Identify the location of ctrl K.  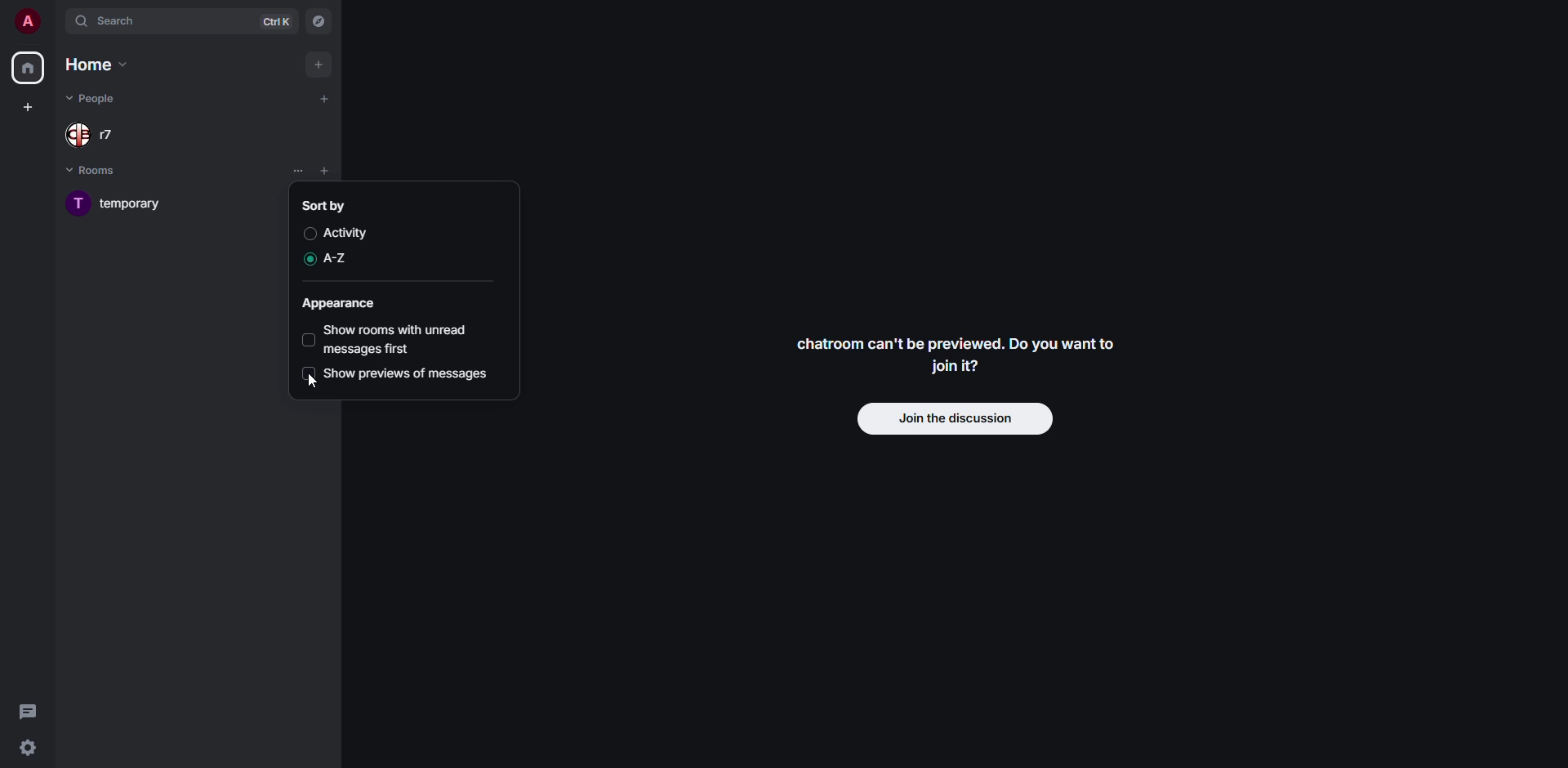
(277, 21).